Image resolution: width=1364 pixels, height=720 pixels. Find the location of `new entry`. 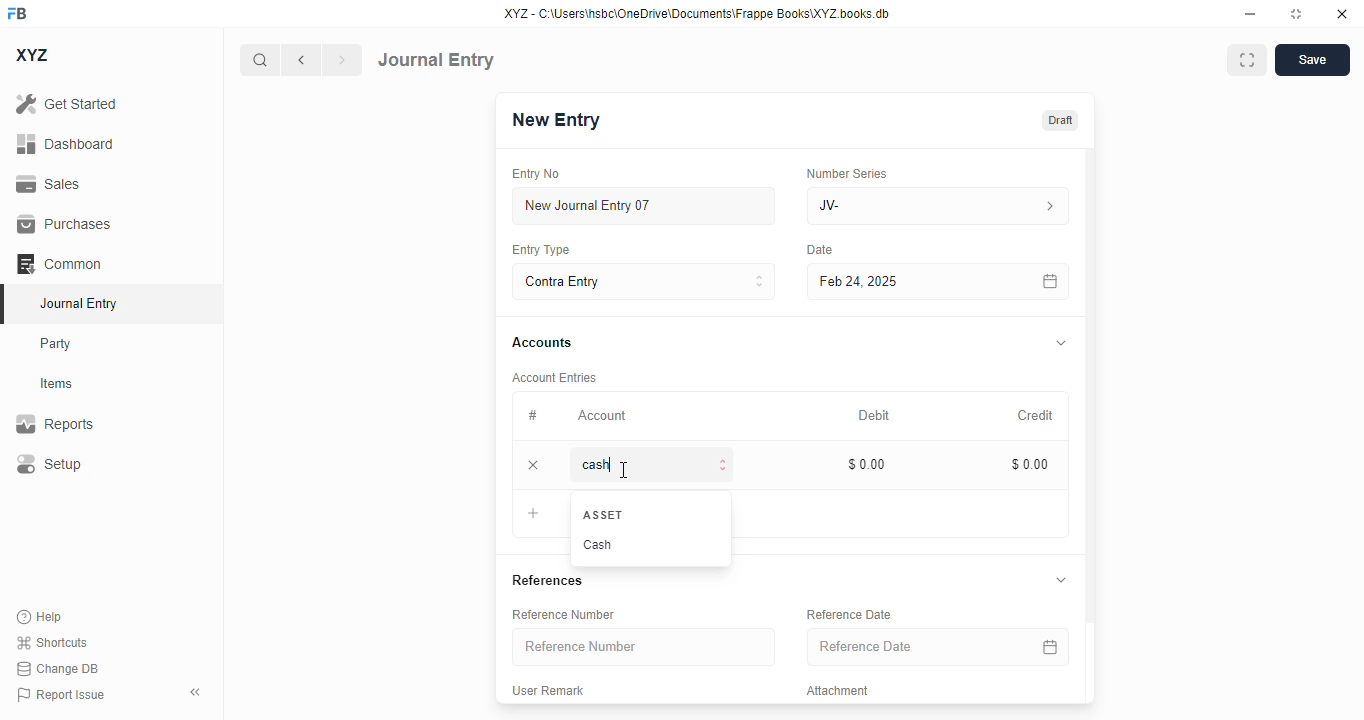

new entry is located at coordinates (557, 119).